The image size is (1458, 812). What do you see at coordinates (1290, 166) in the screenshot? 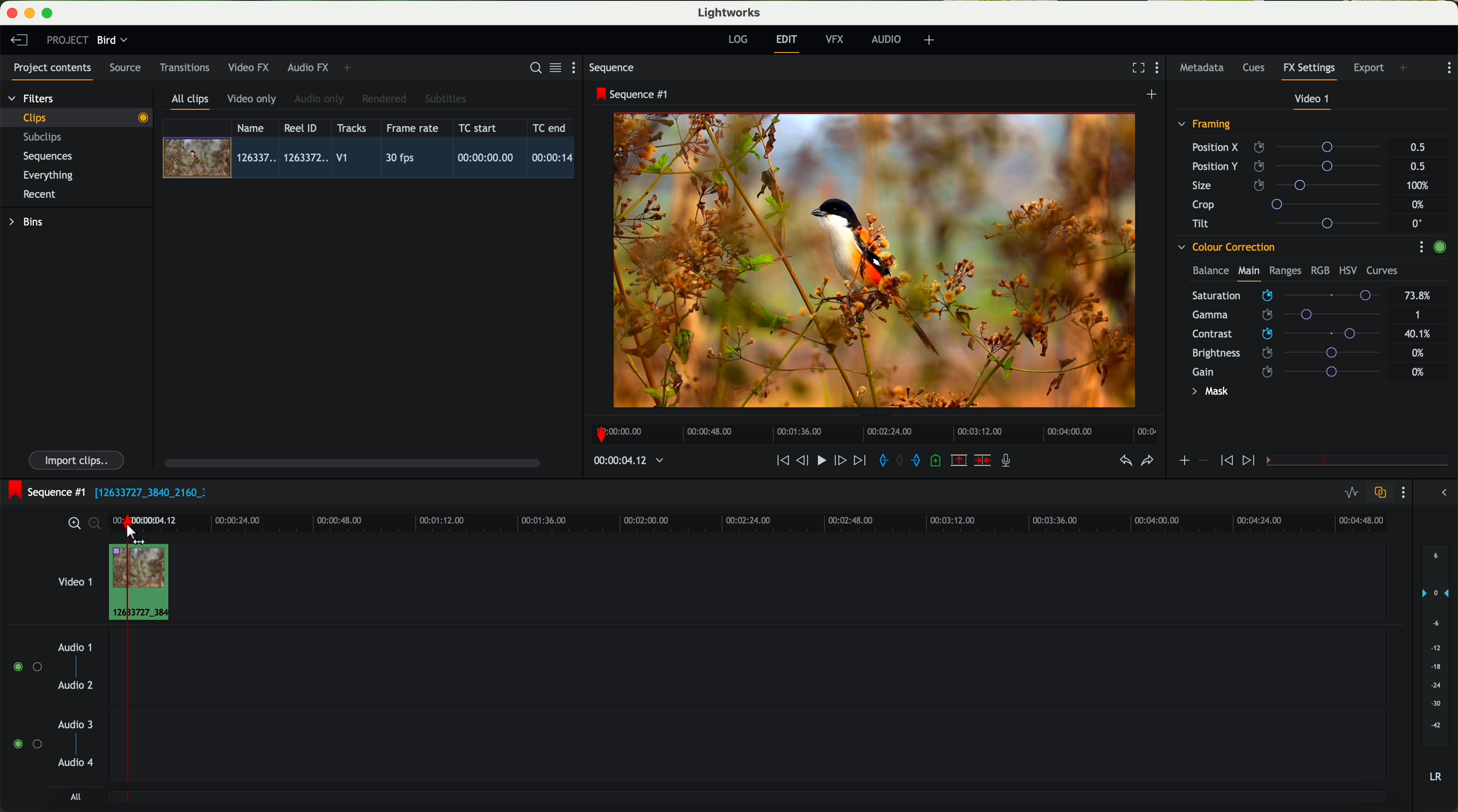
I see `position Y` at bounding box center [1290, 166].